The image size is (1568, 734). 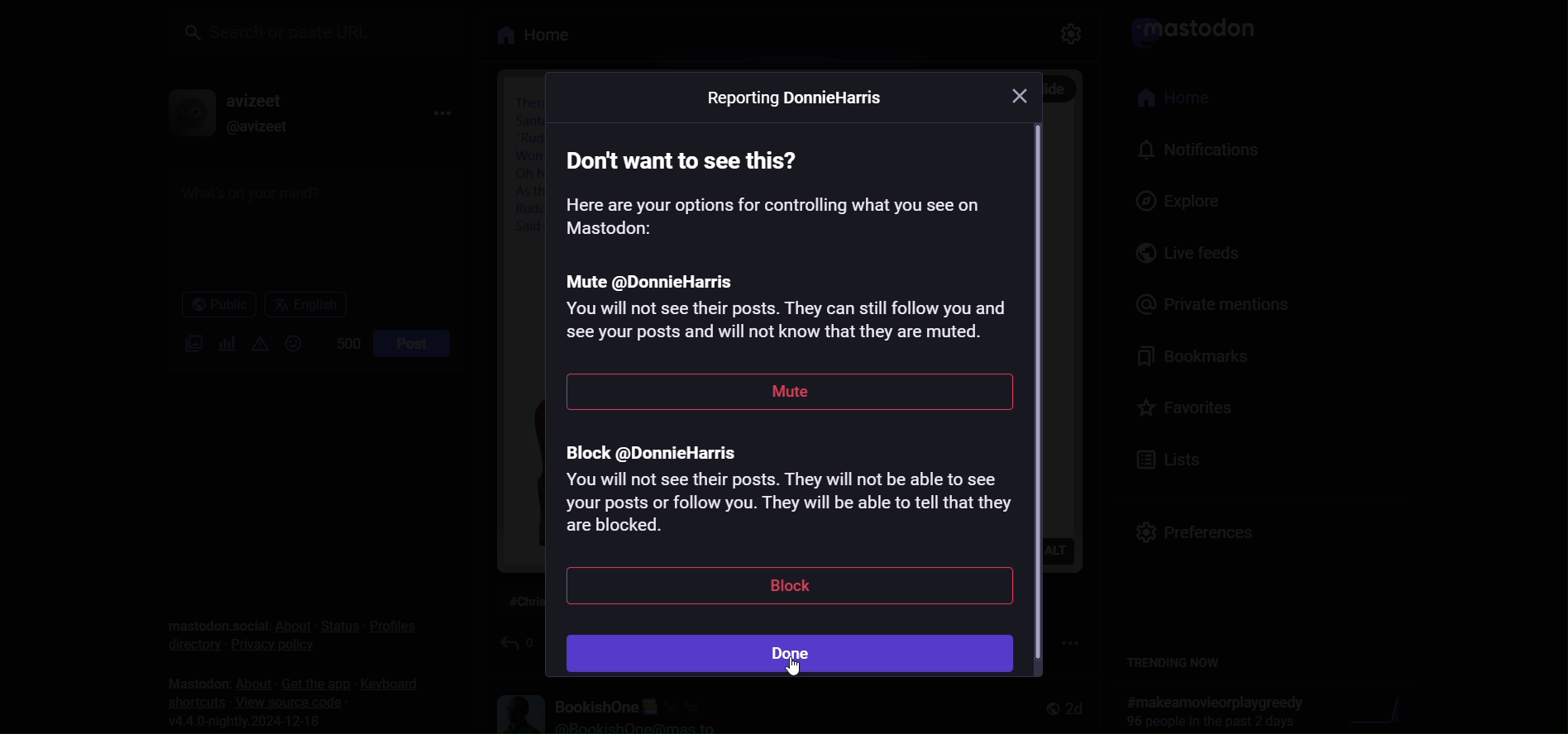 What do you see at coordinates (393, 625) in the screenshot?
I see `profiles` at bounding box center [393, 625].